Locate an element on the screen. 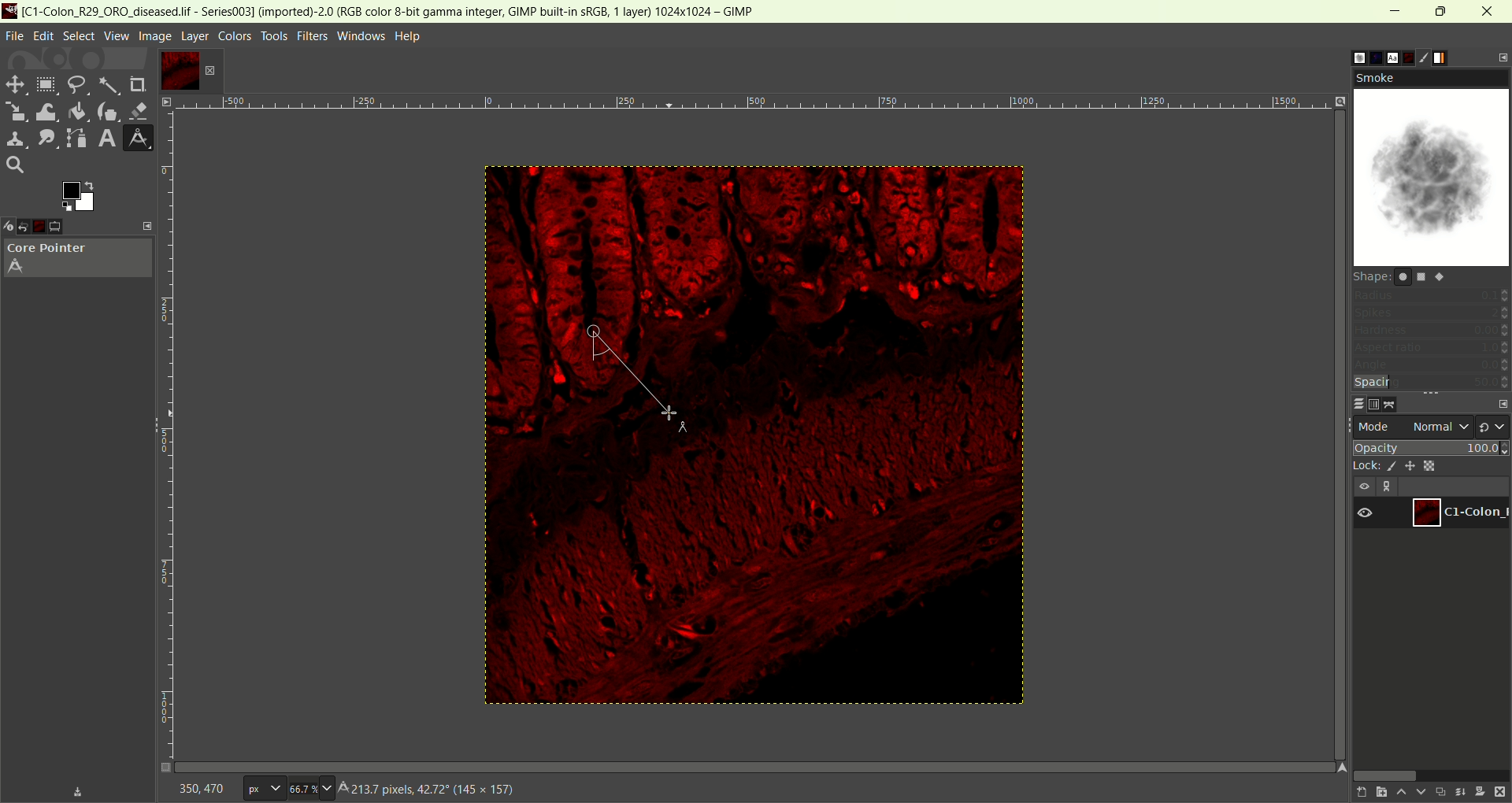  filters is located at coordinates (313, 36).